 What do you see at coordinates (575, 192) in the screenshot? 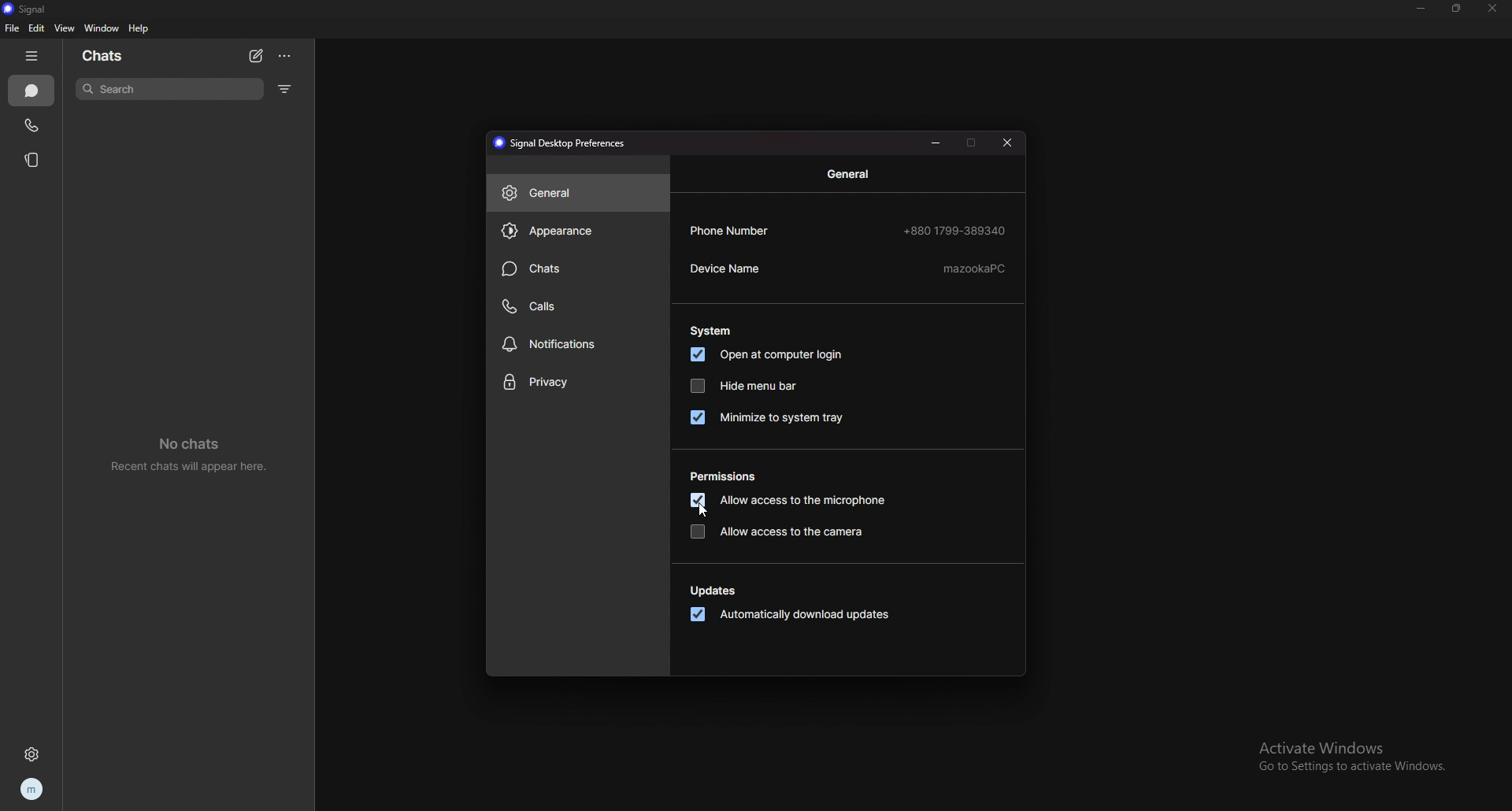
I see `general` at bounding box center [575, 192].